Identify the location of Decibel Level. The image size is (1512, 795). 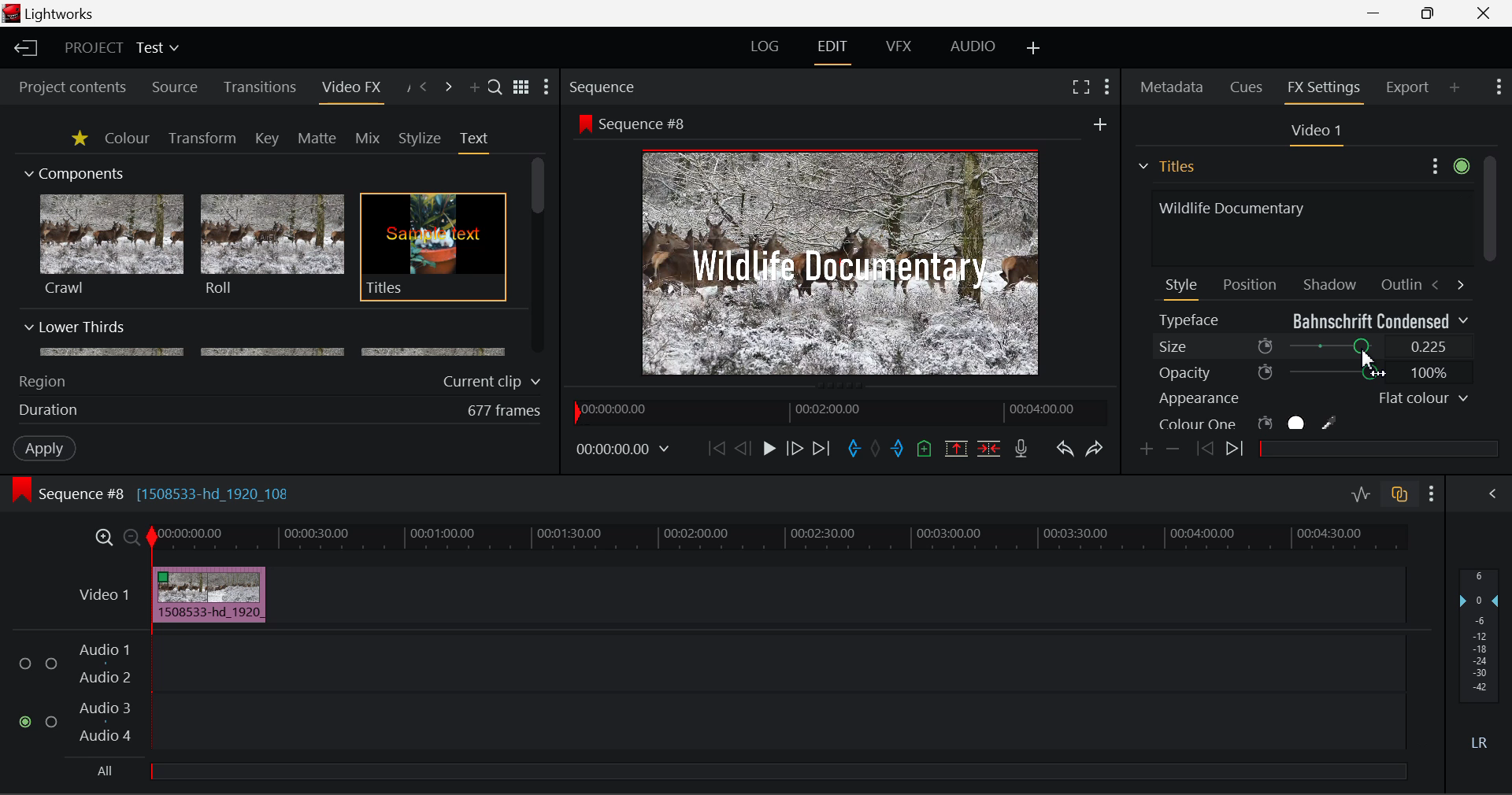
(1480, 663).